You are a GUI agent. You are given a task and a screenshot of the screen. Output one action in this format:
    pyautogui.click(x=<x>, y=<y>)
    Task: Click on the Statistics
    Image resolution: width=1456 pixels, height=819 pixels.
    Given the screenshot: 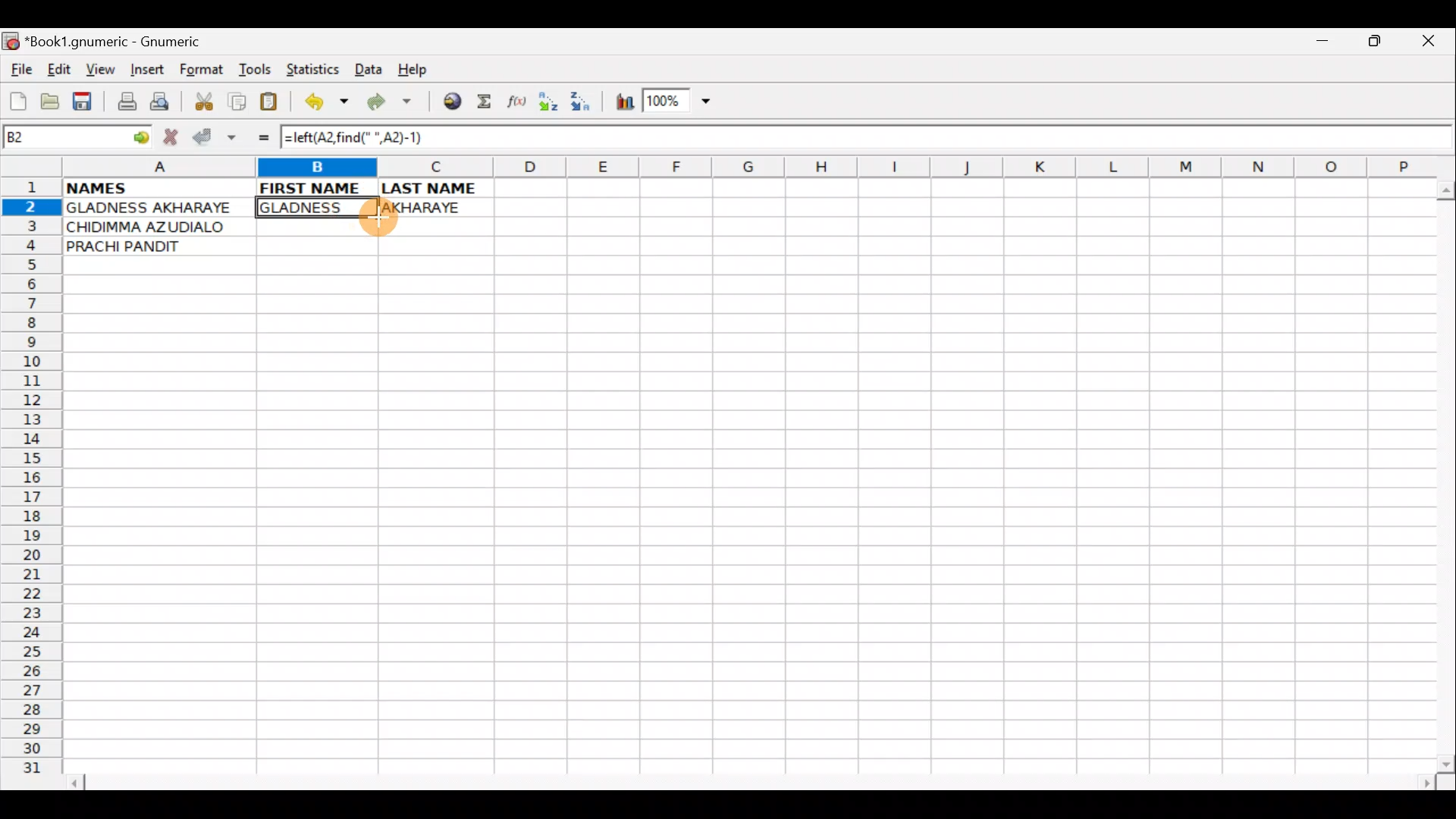 What is the action you would take?
    pyautogui.click(x=317, y=68)
    